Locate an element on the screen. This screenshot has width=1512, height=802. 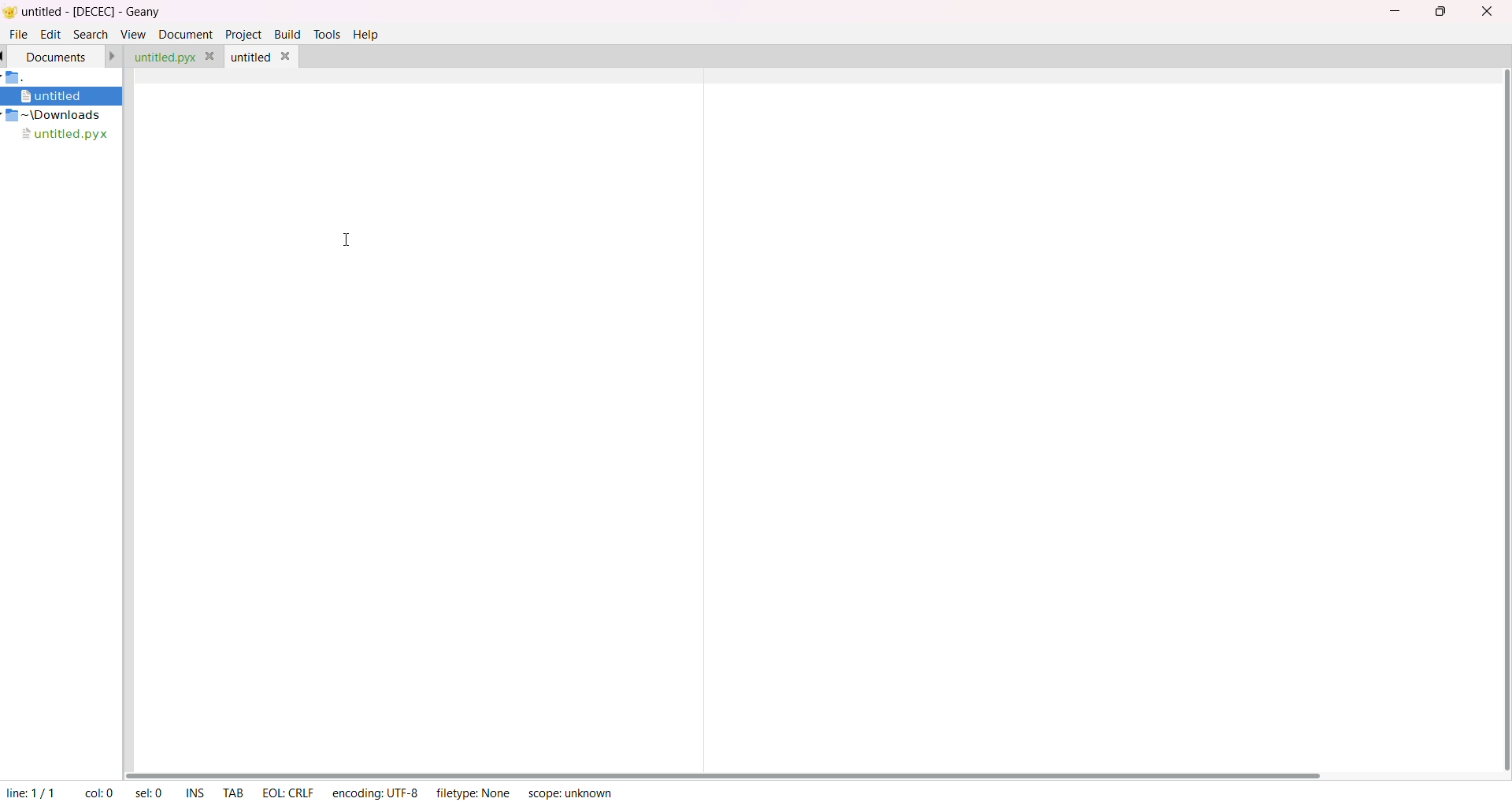
untitled - [DECEC] - Geany is located at coordinates (99, 13).